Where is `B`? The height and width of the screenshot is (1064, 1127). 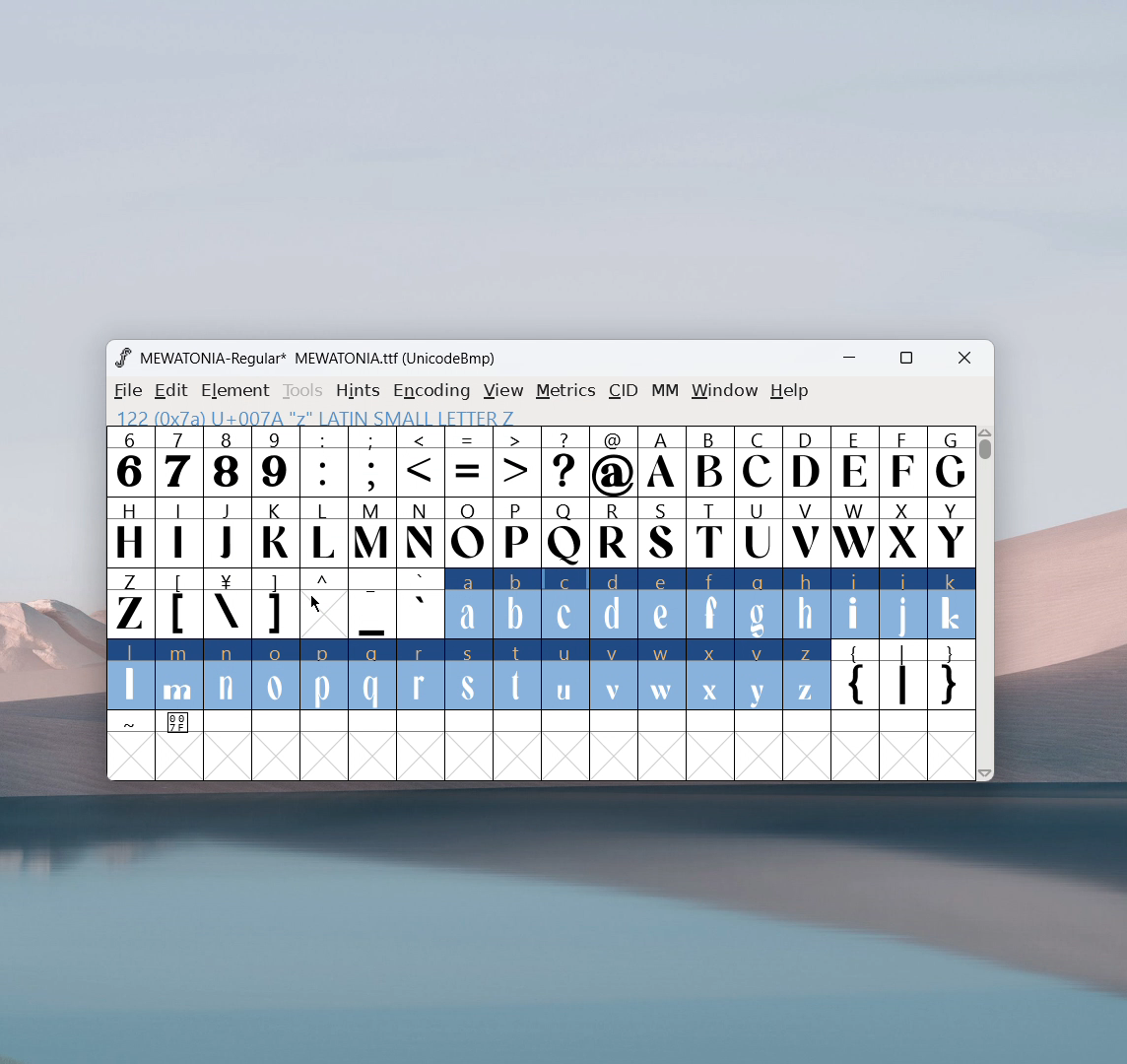
B is located at coordinates (709, 462).